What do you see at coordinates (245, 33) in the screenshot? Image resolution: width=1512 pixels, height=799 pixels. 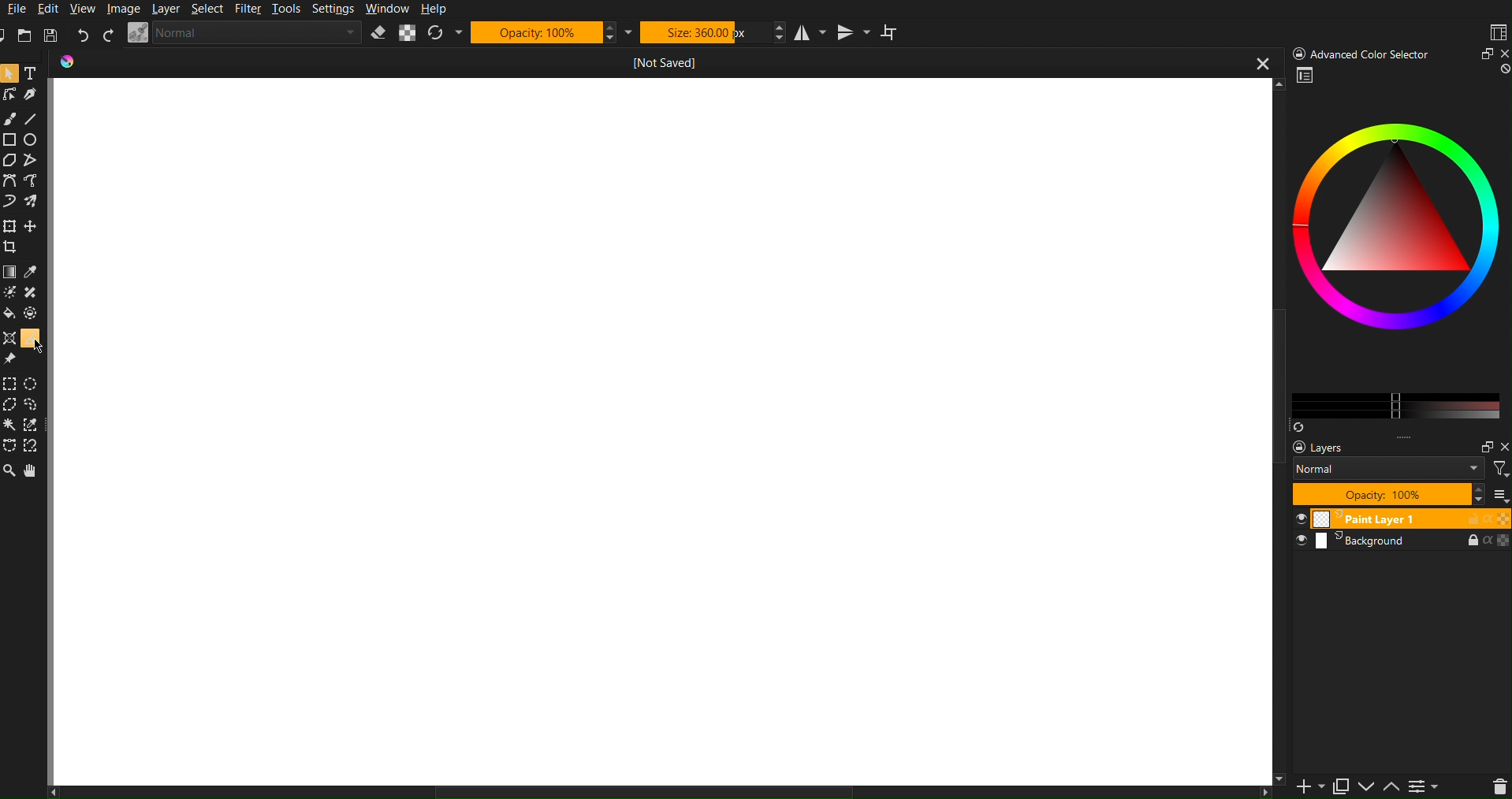 I see `Brush Settings` at bounding box center [245, 33].